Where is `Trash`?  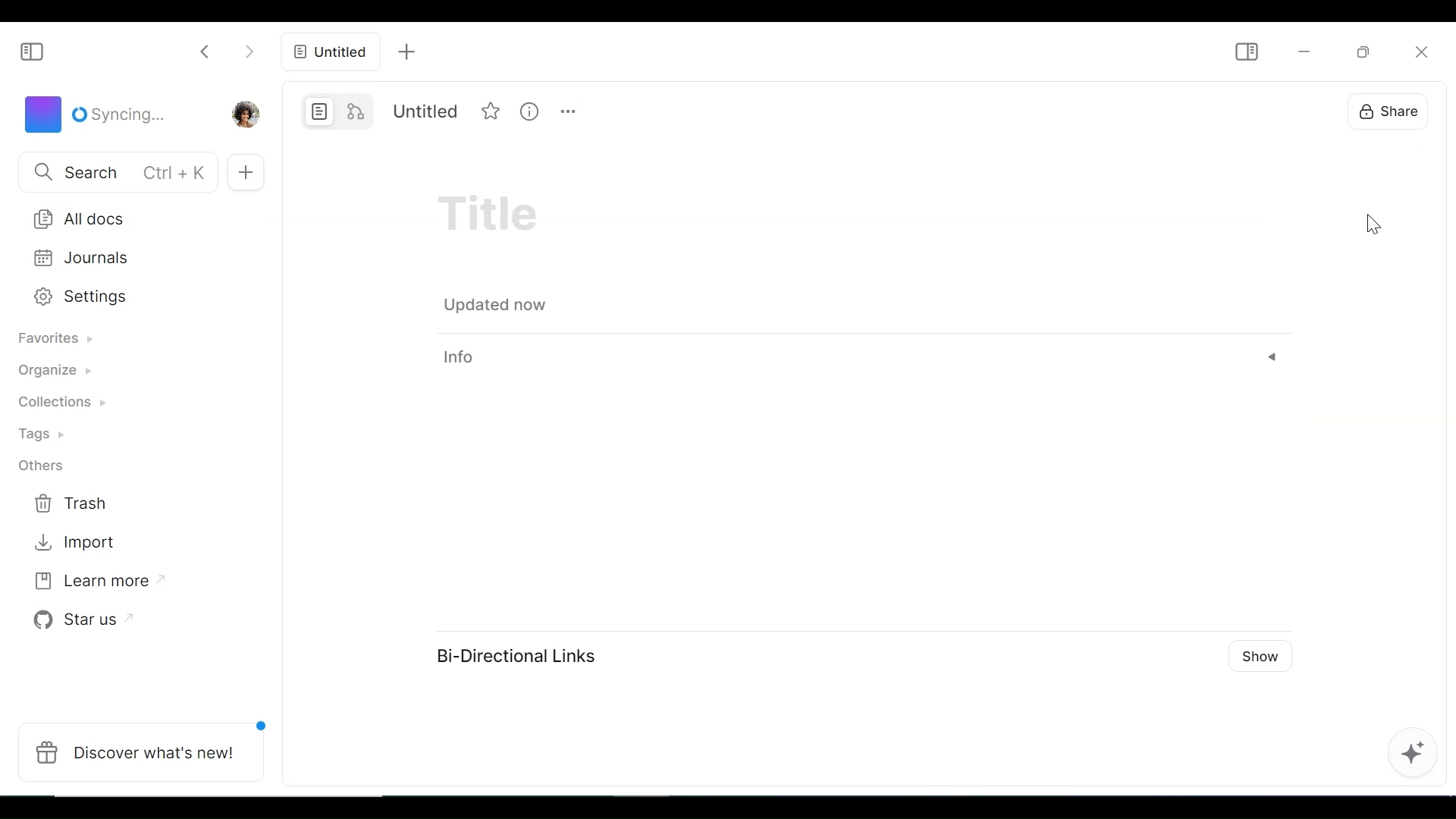 Trash is located at coordinates (72, 504).